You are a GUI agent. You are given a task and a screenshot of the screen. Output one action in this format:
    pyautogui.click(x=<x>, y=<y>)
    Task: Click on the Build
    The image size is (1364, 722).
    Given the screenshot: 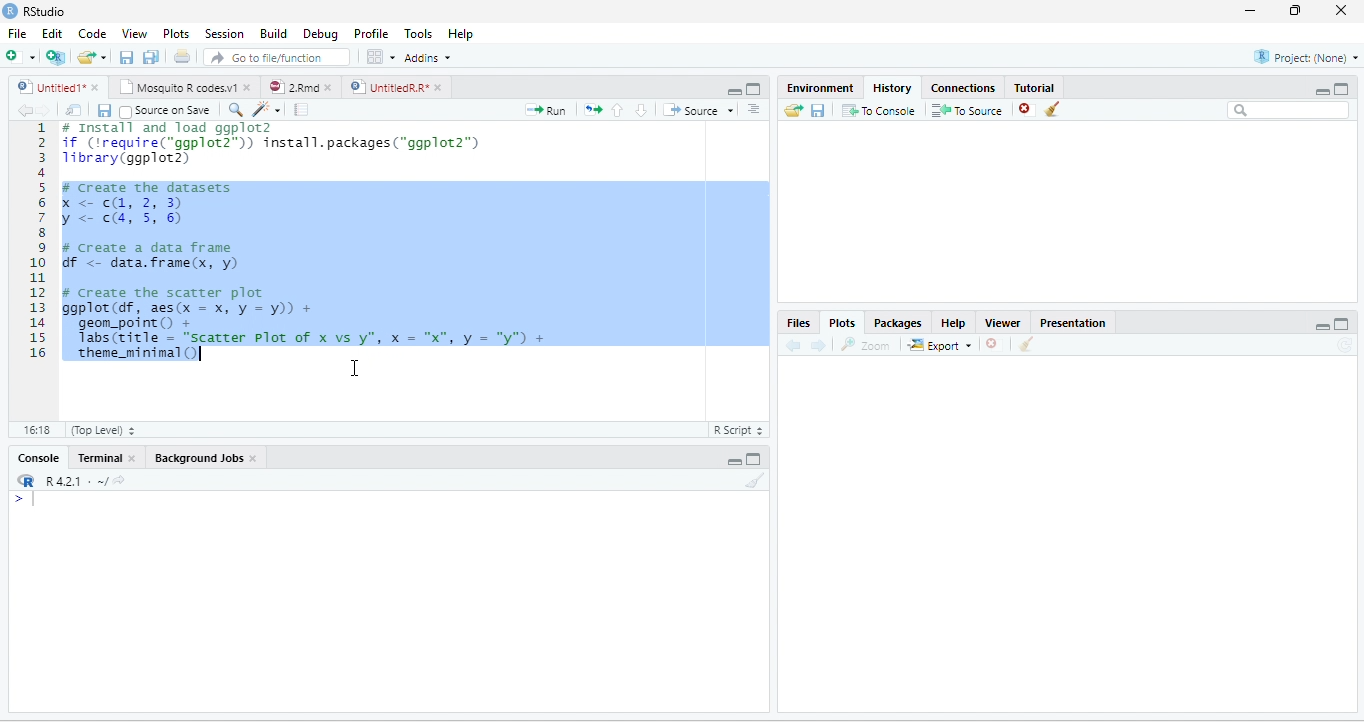 What is the action you would take?
    pyautogui.click(x=272, y=32)
    